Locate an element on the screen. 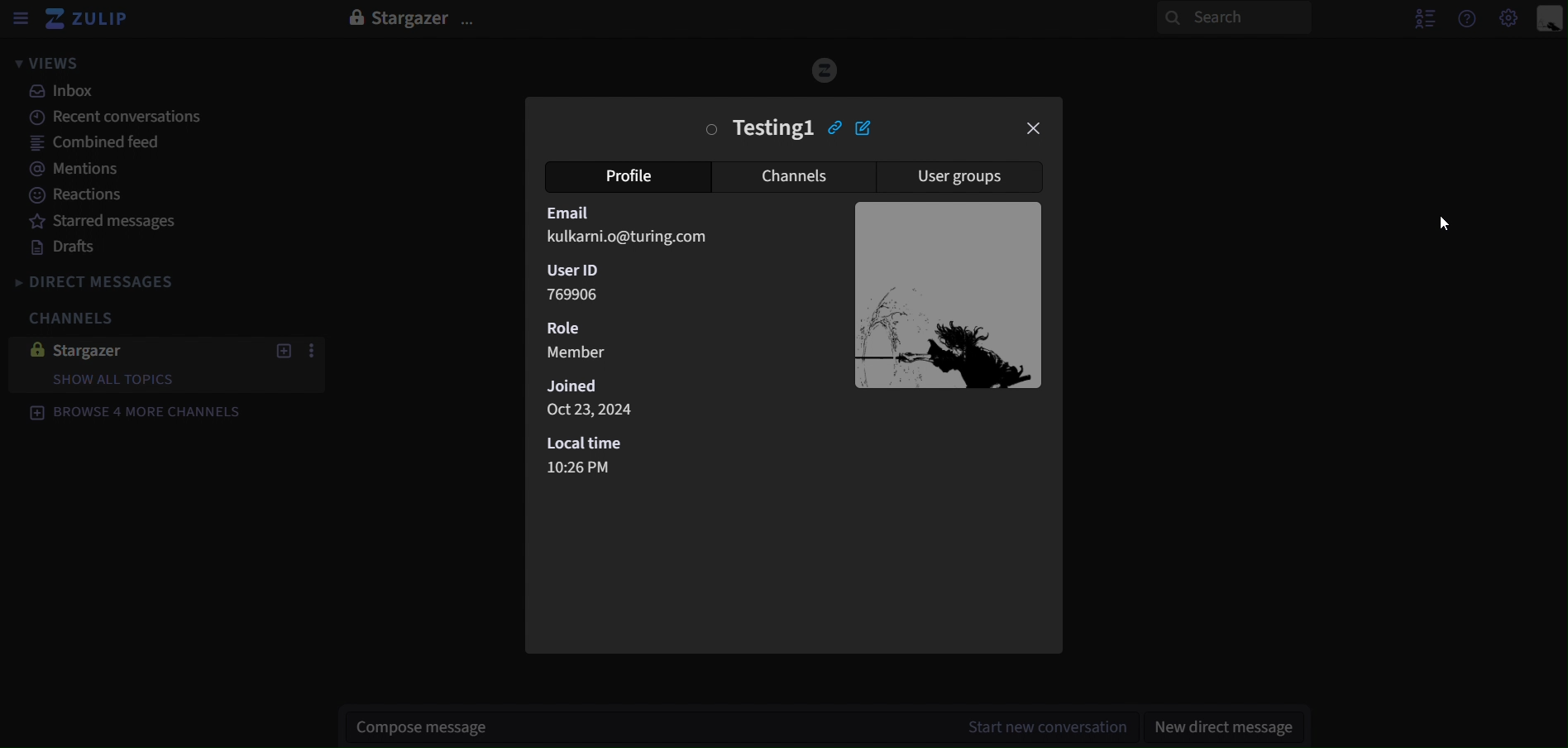 The image size is (1568, 748). main menu is located at coordinates (1509, 19).